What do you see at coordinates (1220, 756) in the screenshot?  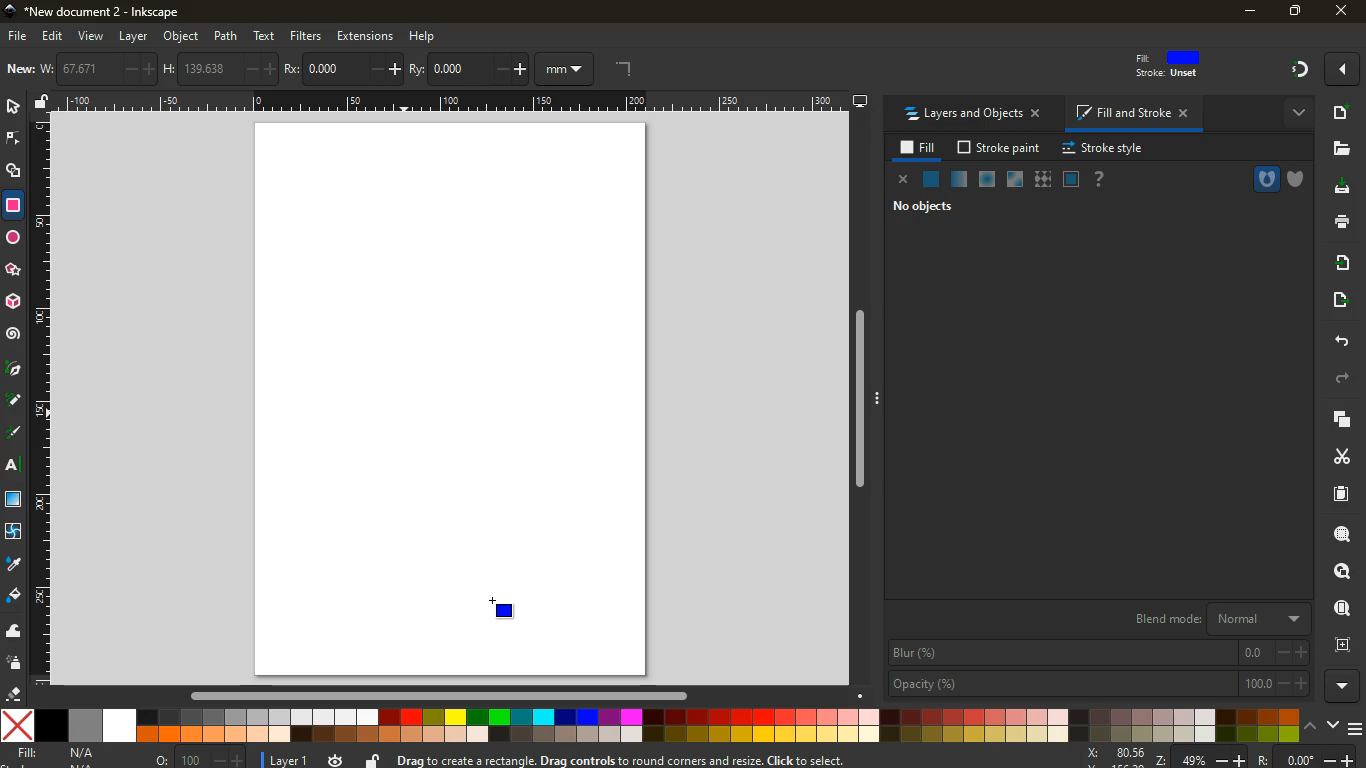 I see `zoom` at bounding box center [1220, 756].